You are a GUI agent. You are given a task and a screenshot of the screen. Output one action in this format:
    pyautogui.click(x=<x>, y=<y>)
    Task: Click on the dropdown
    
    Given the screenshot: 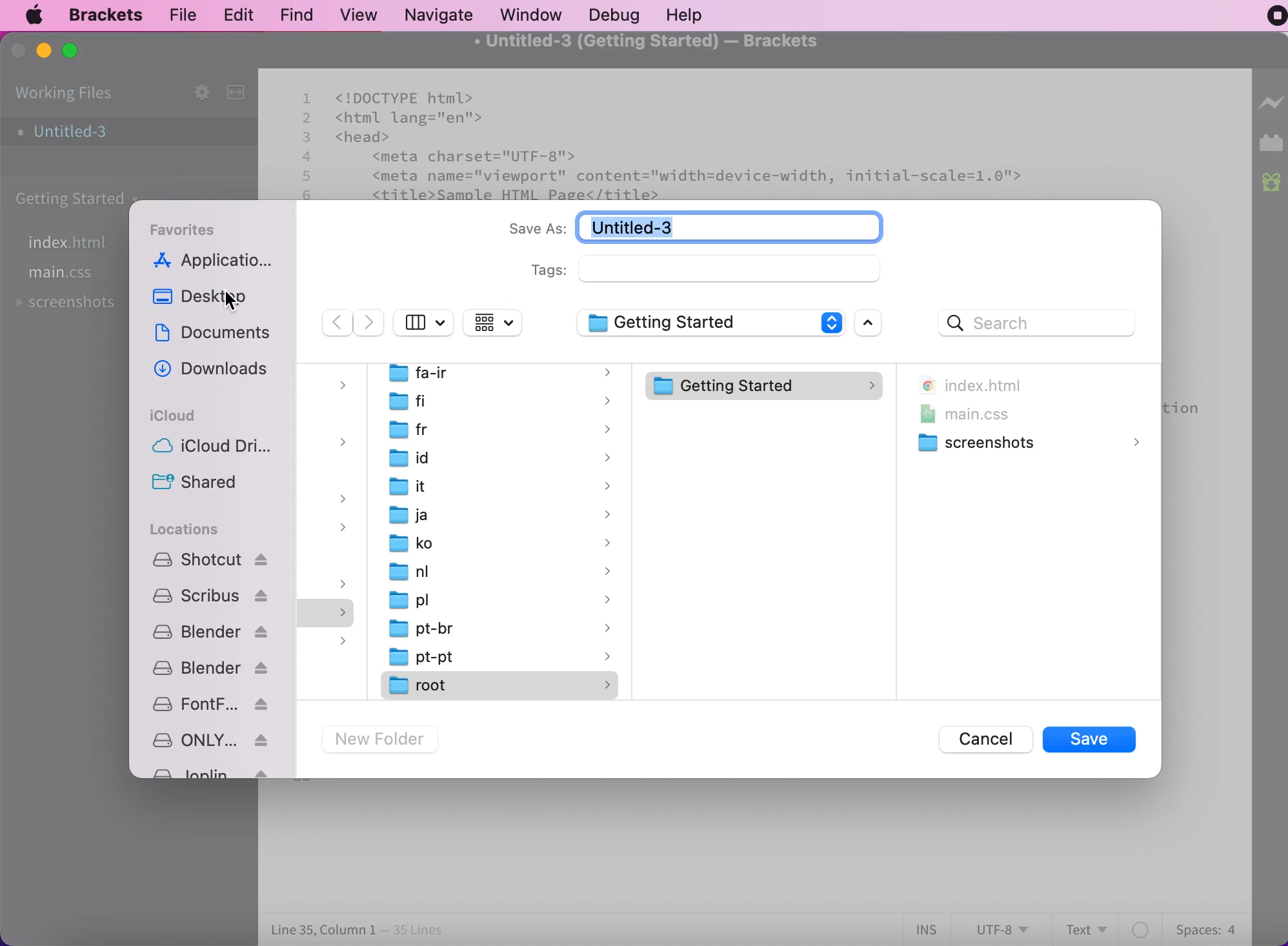 What is the action you would take?
    pyautogui.click(x=343, y=385)
    